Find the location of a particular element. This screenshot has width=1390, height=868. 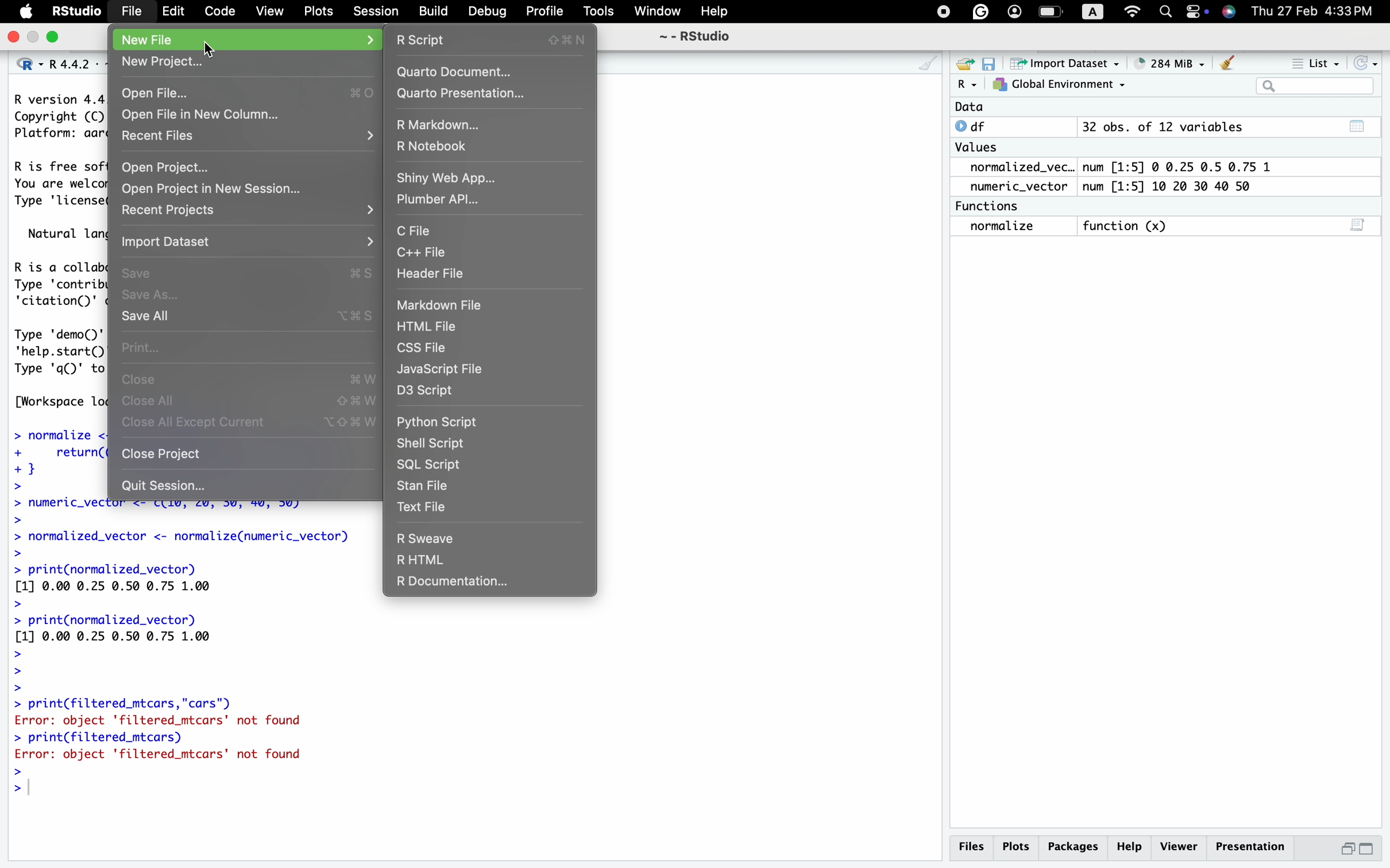

HTML File is located at coordinates (432, 325).